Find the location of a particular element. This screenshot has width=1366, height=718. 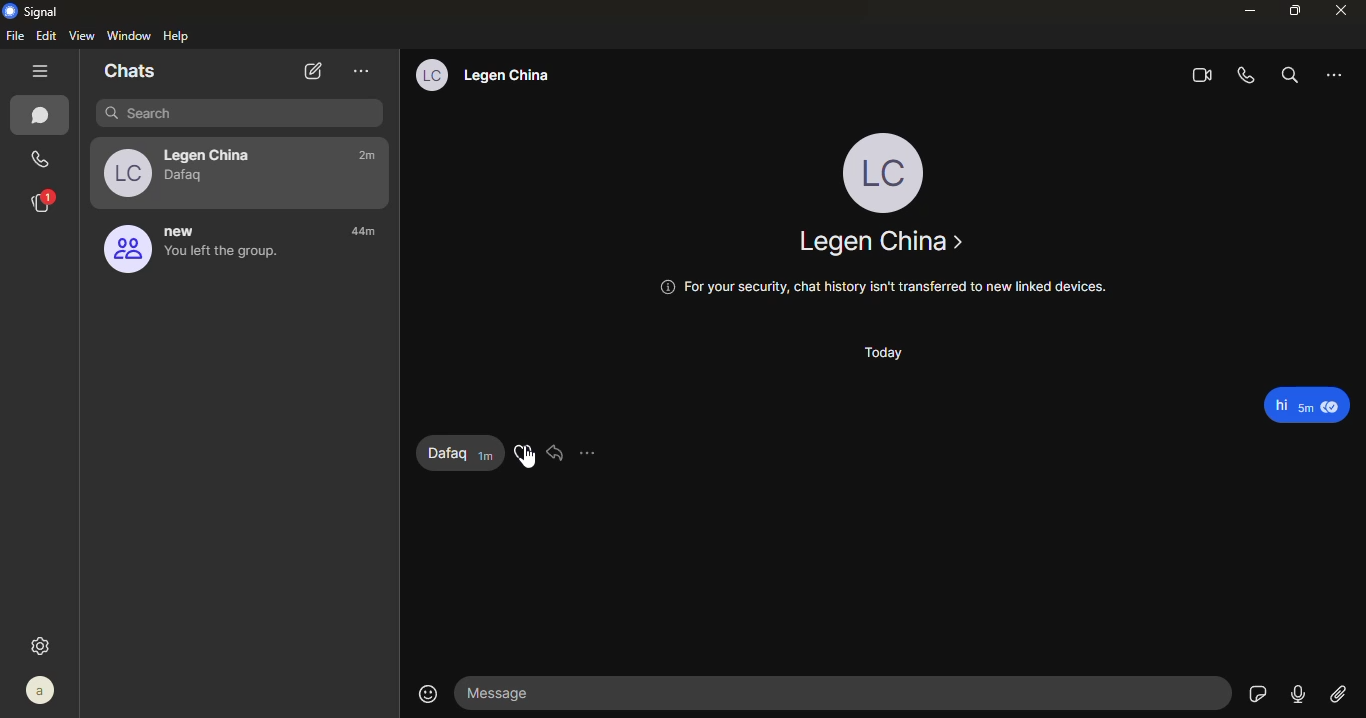

profile LC is located at coordinates (888, 170).